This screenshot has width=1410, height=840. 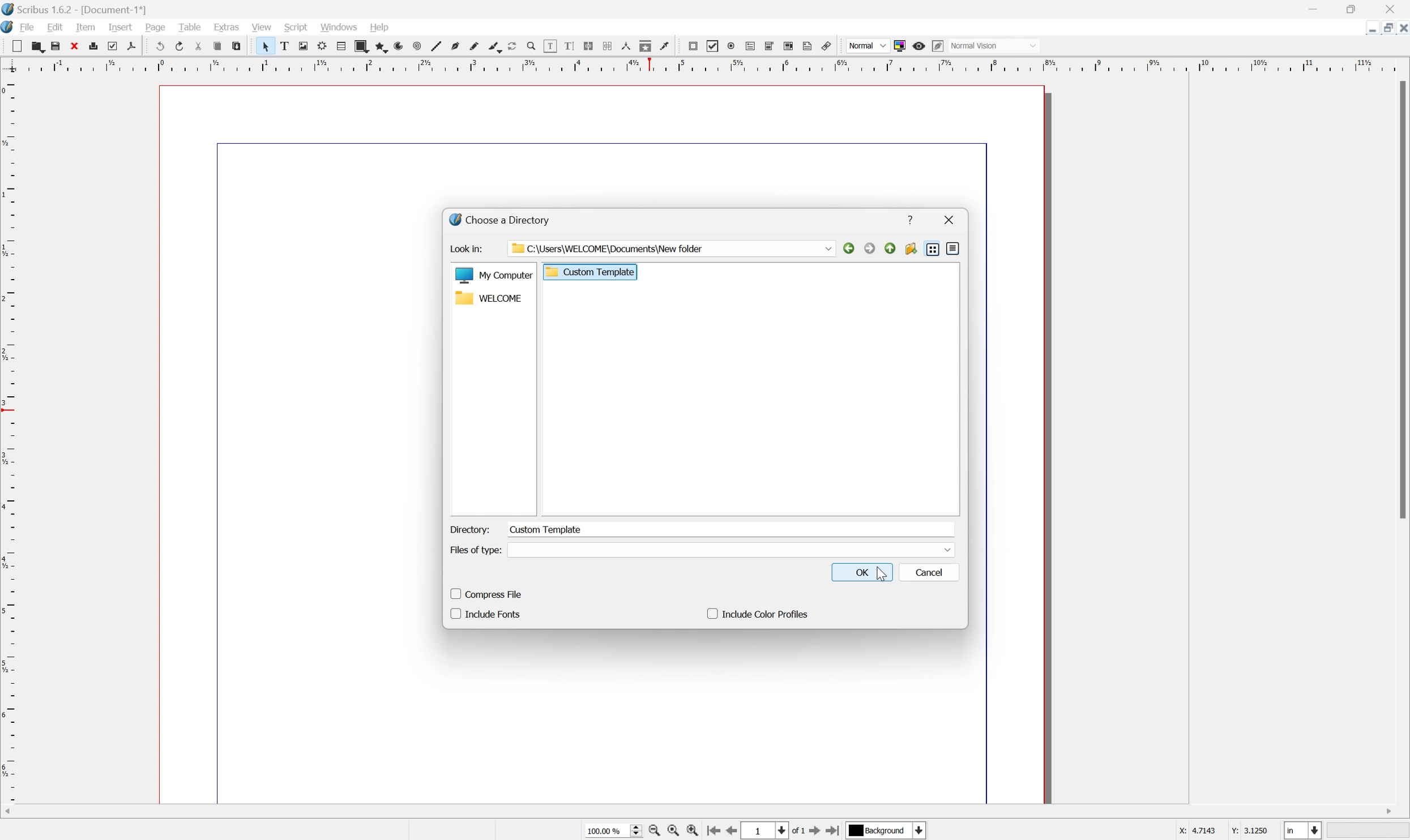 I want to click on Zoom to 100%, so click(x=671, y=832).